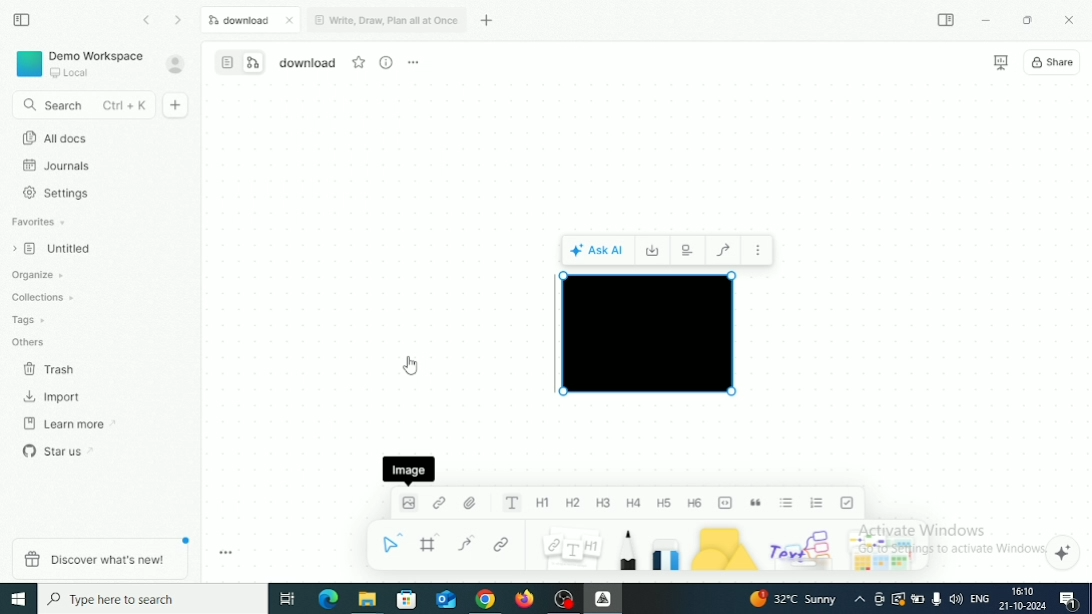 The height and width of the screenshot is (614, 1092). What do you see at coordinates (919, 597) in the screenshot?
I see `Charging, plugged in` at bounding box center [919, 597].